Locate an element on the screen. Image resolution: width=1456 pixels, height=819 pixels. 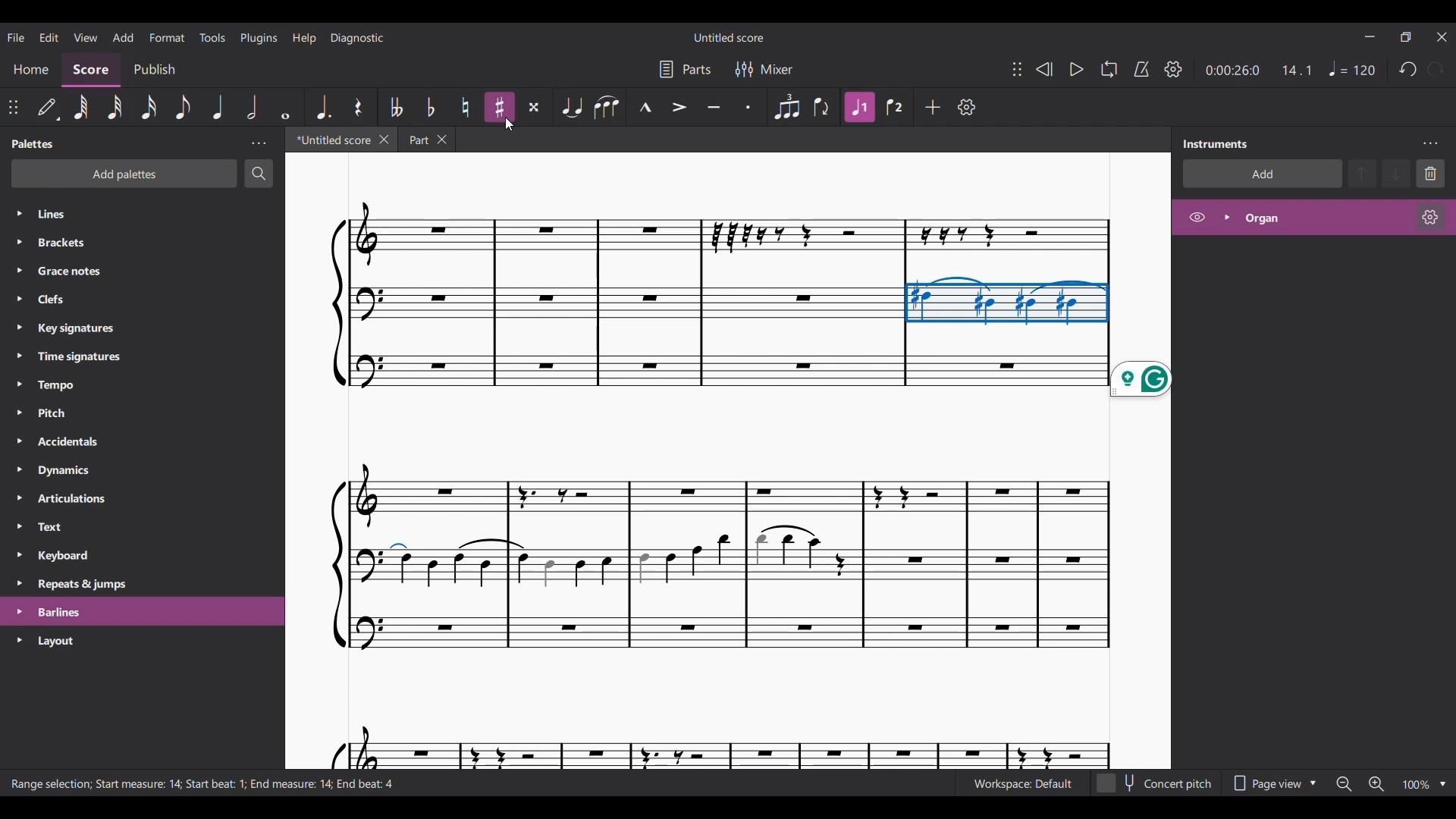
Redo is located at coordinates (1436, 69).